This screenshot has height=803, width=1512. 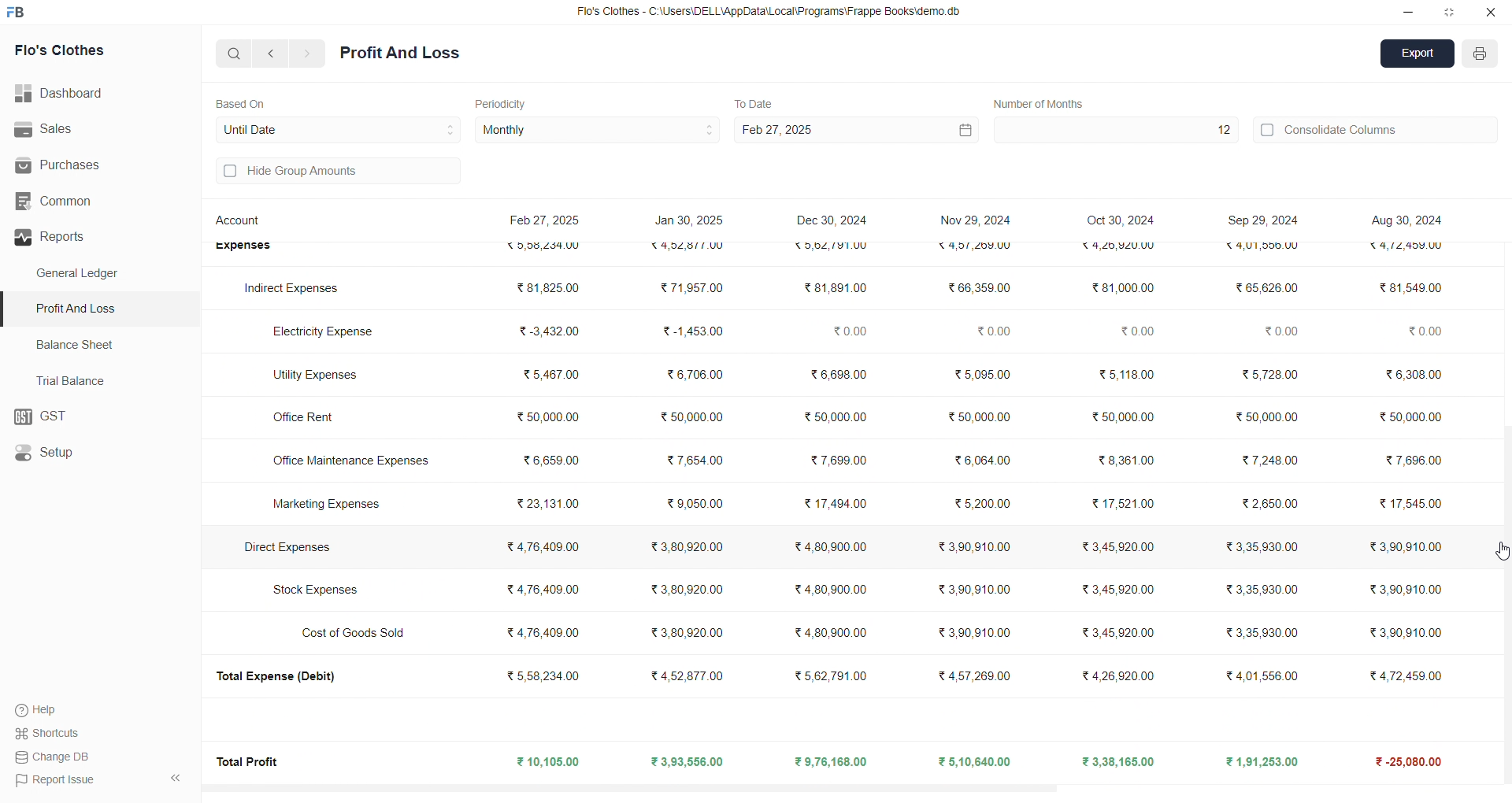 I want to click on ₹ 3,45,920.00, so click(x=1117, y=589).